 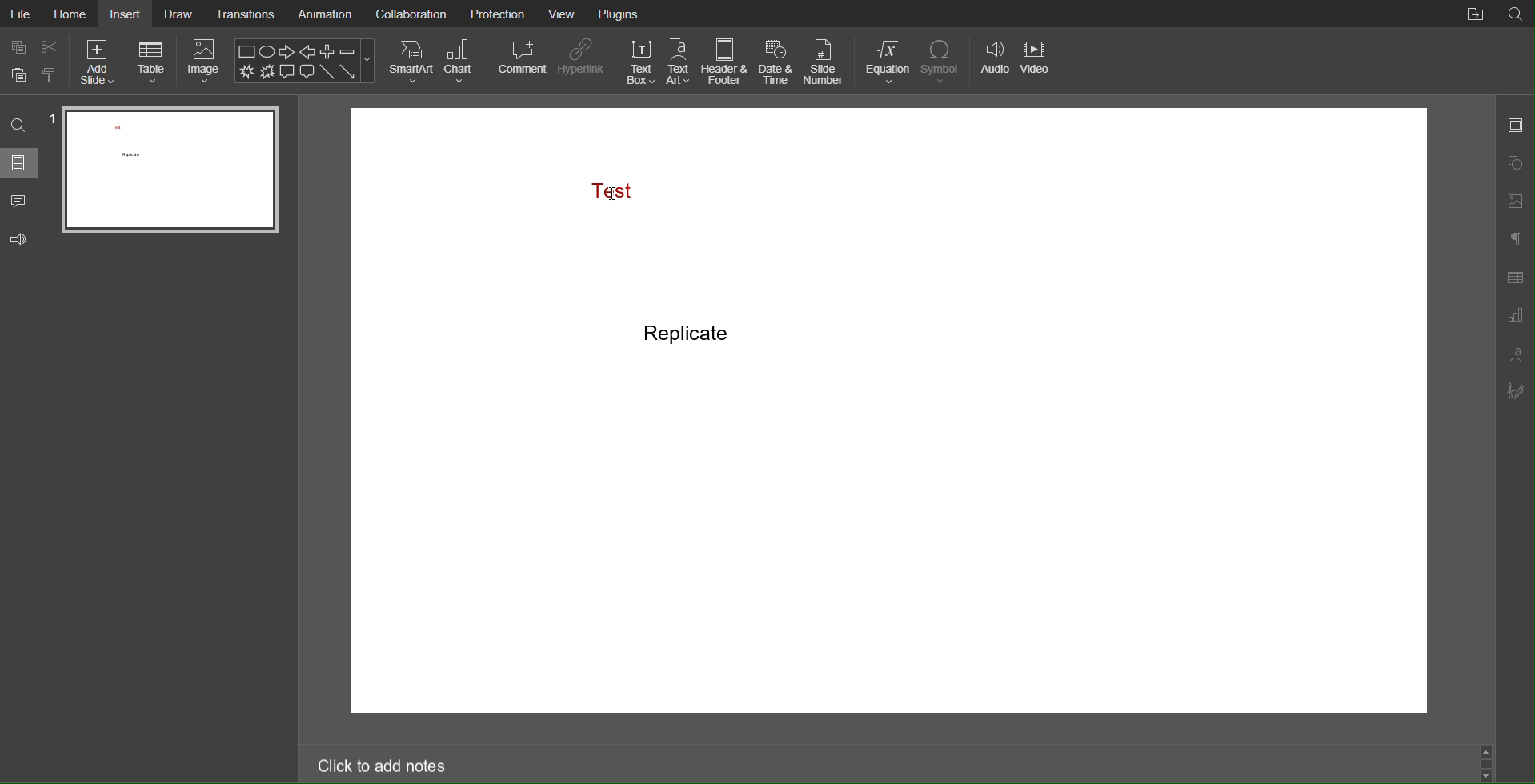 I want to click on Table Settings, so click(x=1516, y=278).